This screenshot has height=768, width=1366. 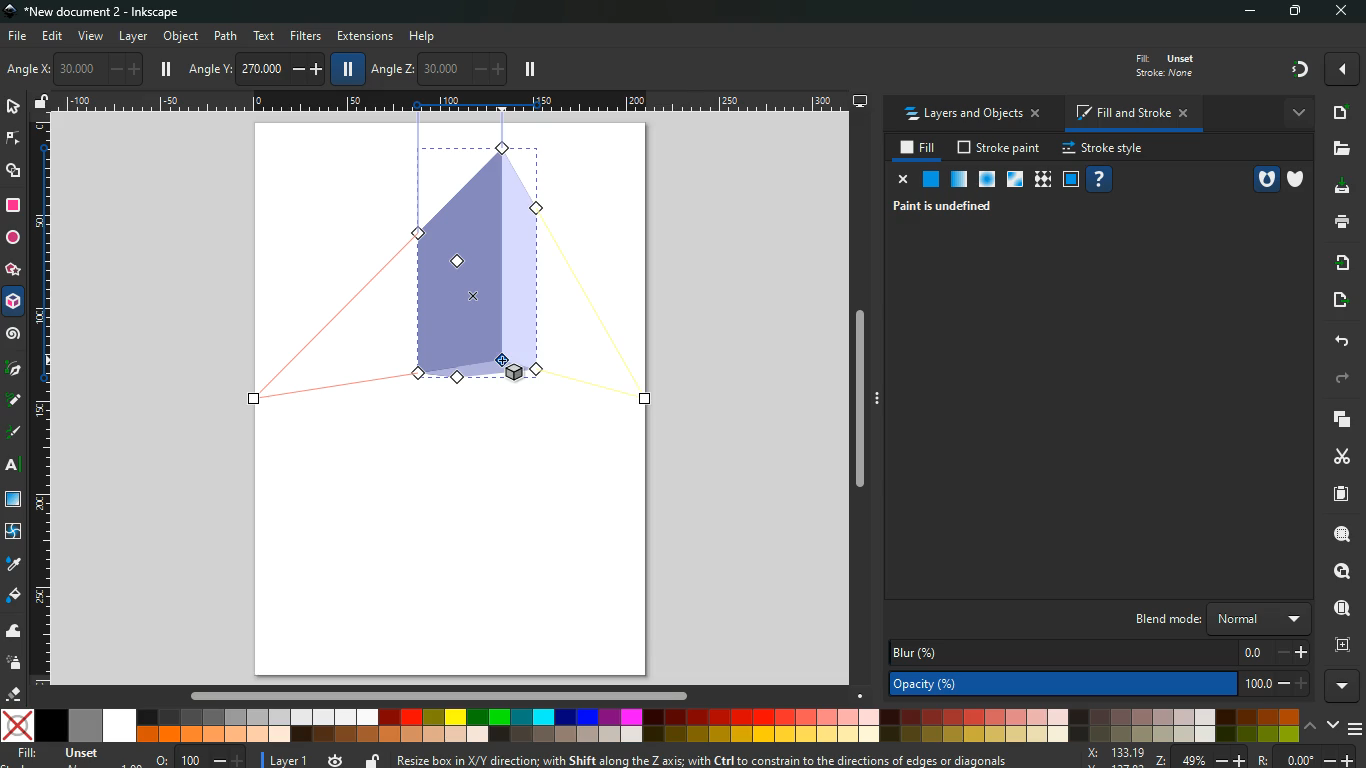 What do you see at coordinates (436, 696) in the screenshot?
I see `Scroll bar` at bounding box center [436, 696].